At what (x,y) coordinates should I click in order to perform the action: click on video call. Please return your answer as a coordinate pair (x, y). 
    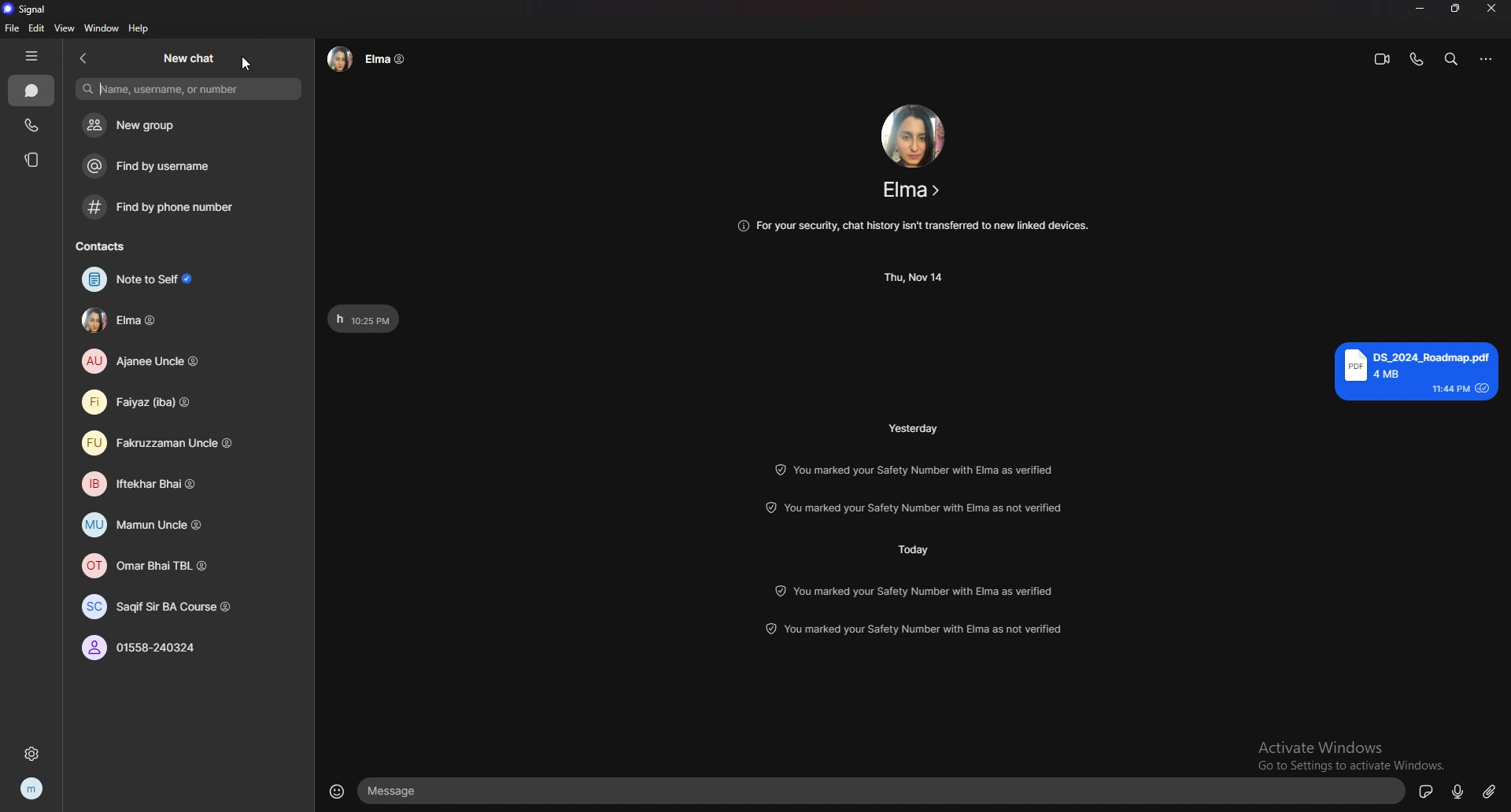
    Looking at the image, I should click on (1382, 58).